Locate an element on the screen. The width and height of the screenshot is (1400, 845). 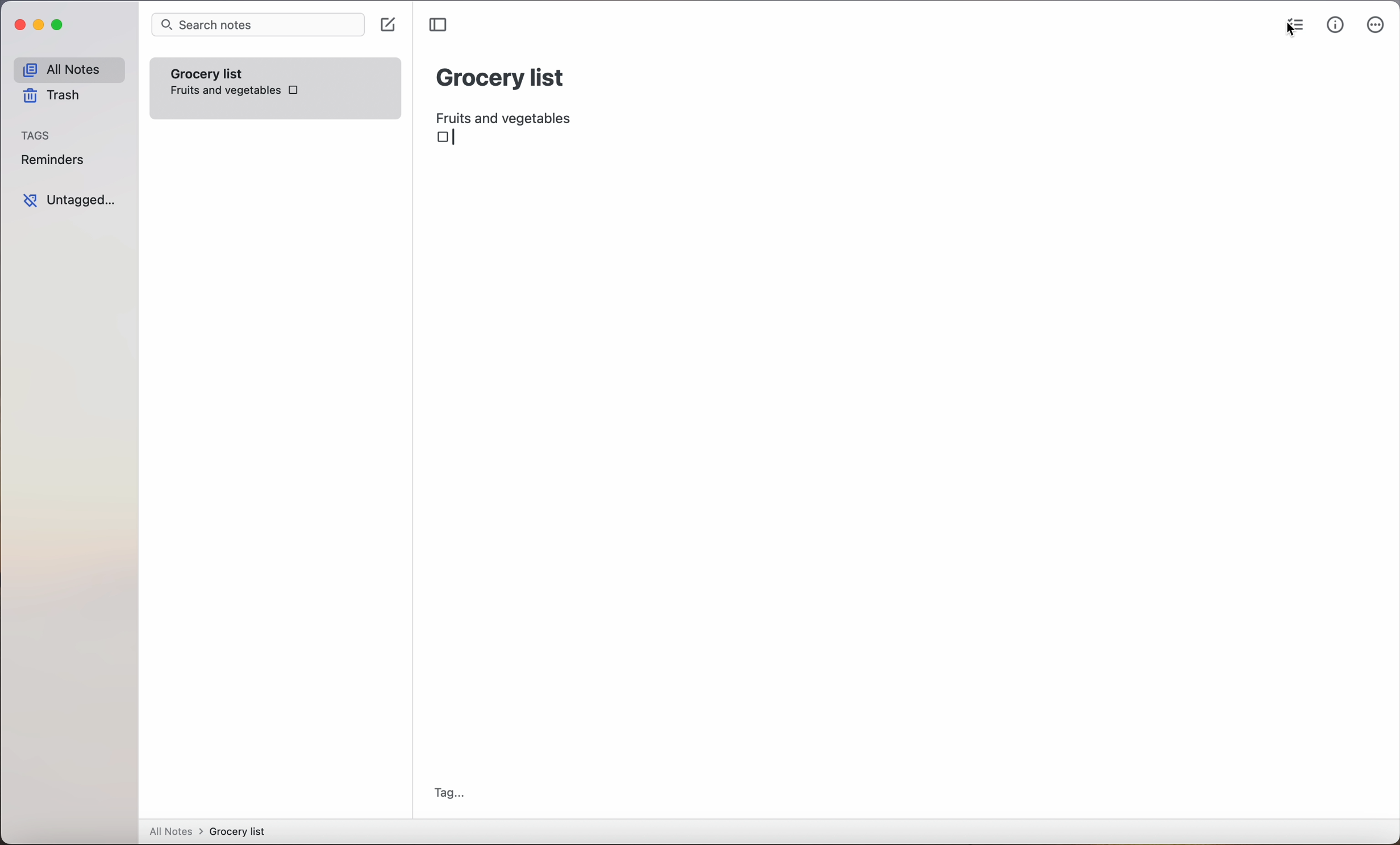
maximize Simplenote is located at coordinates (60, 26).